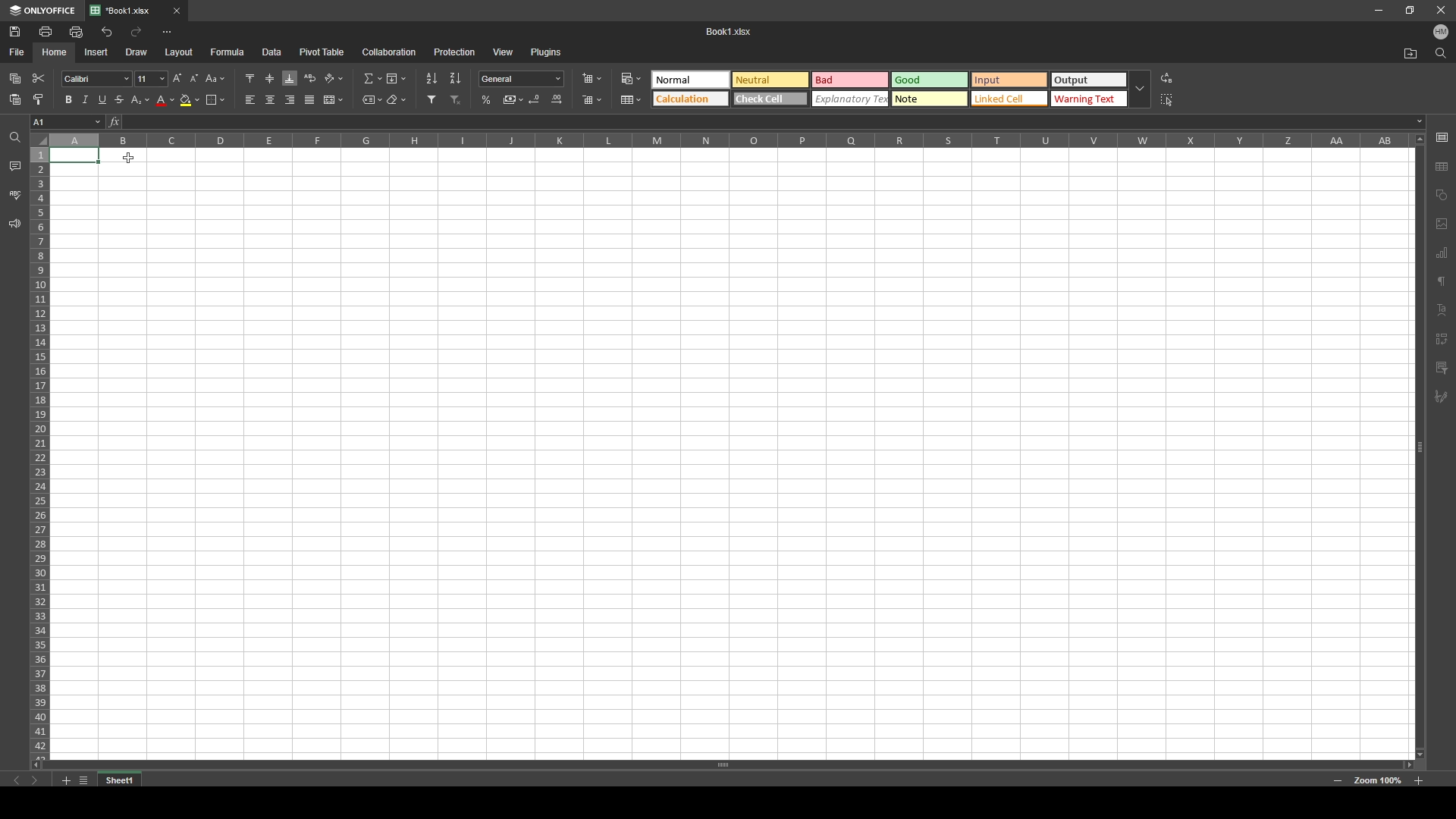 This screenshot has height=819, width=1456. I want to click on paste, so click(16, 100).